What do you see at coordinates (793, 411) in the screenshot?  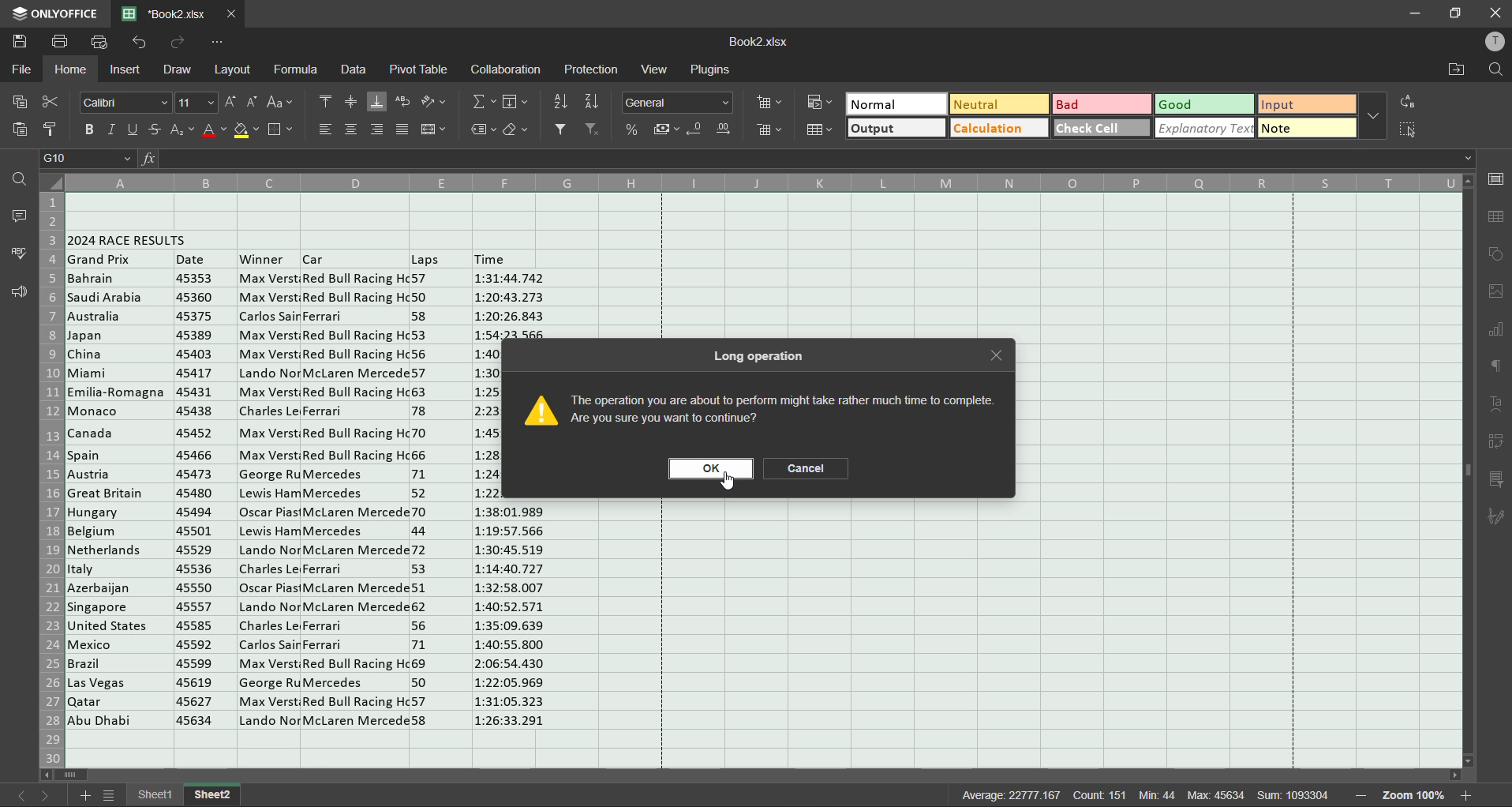 I see `caution message` at bounding box center [793, 411].